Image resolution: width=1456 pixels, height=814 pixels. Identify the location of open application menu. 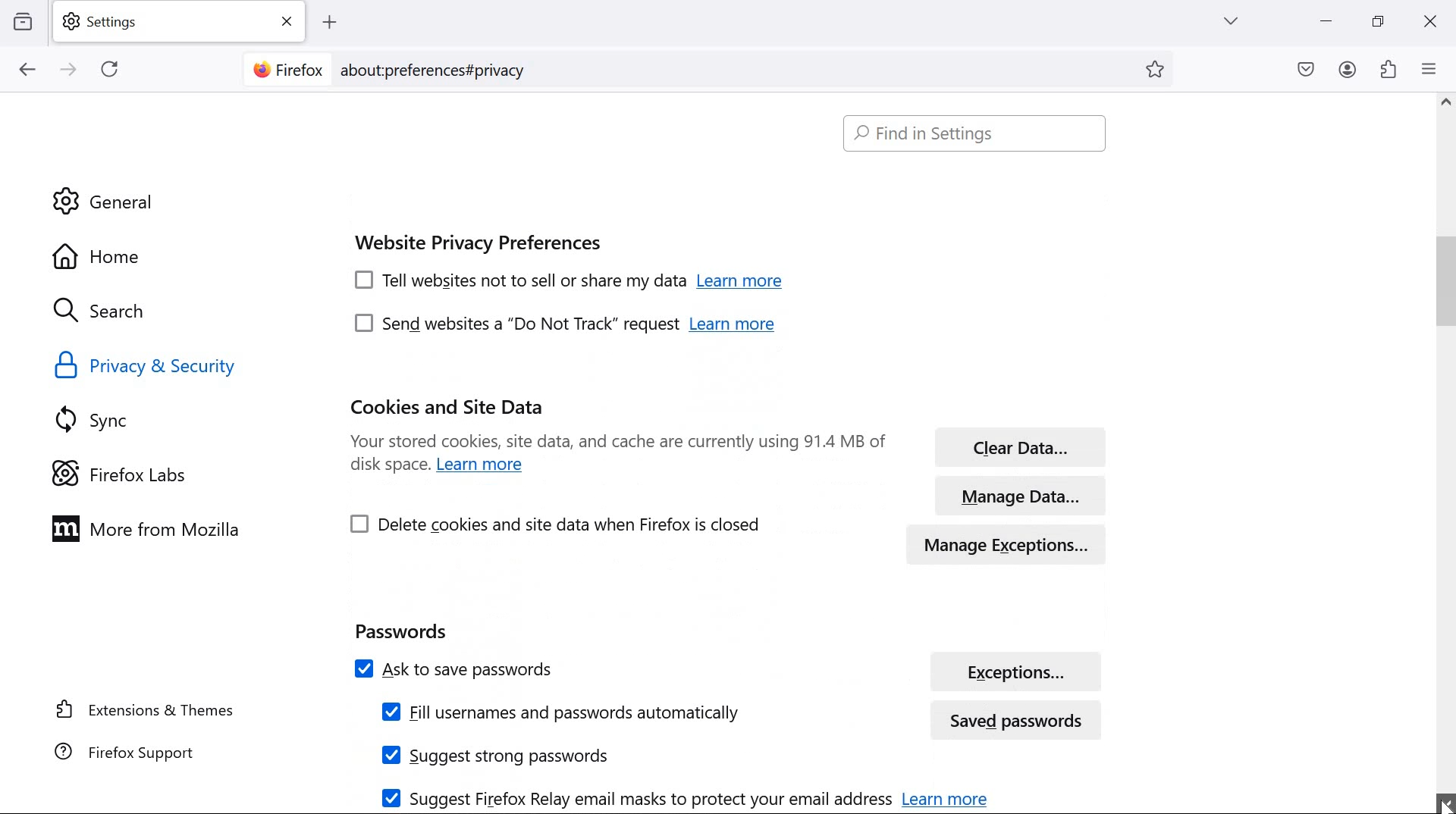
(1432, 68).